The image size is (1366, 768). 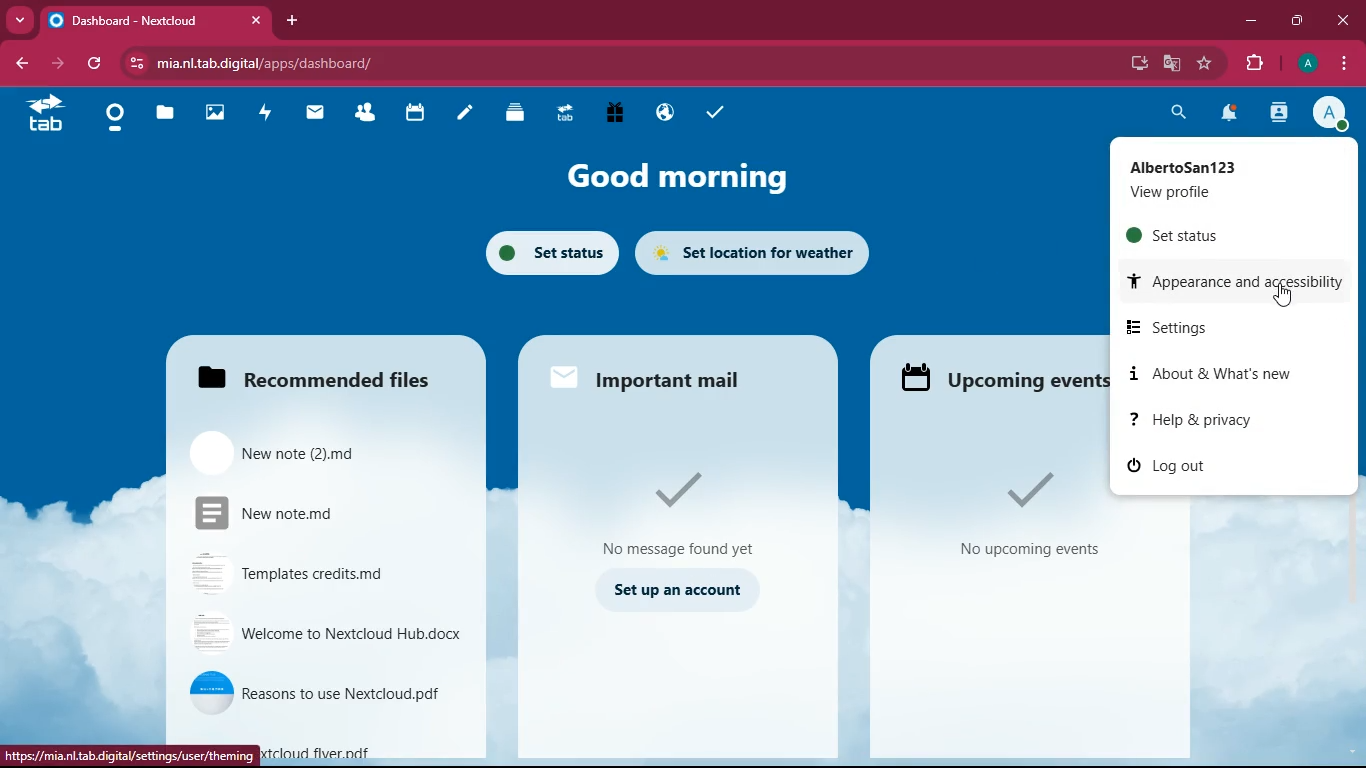 I want to click on activity, so click(x=1281, y=112).